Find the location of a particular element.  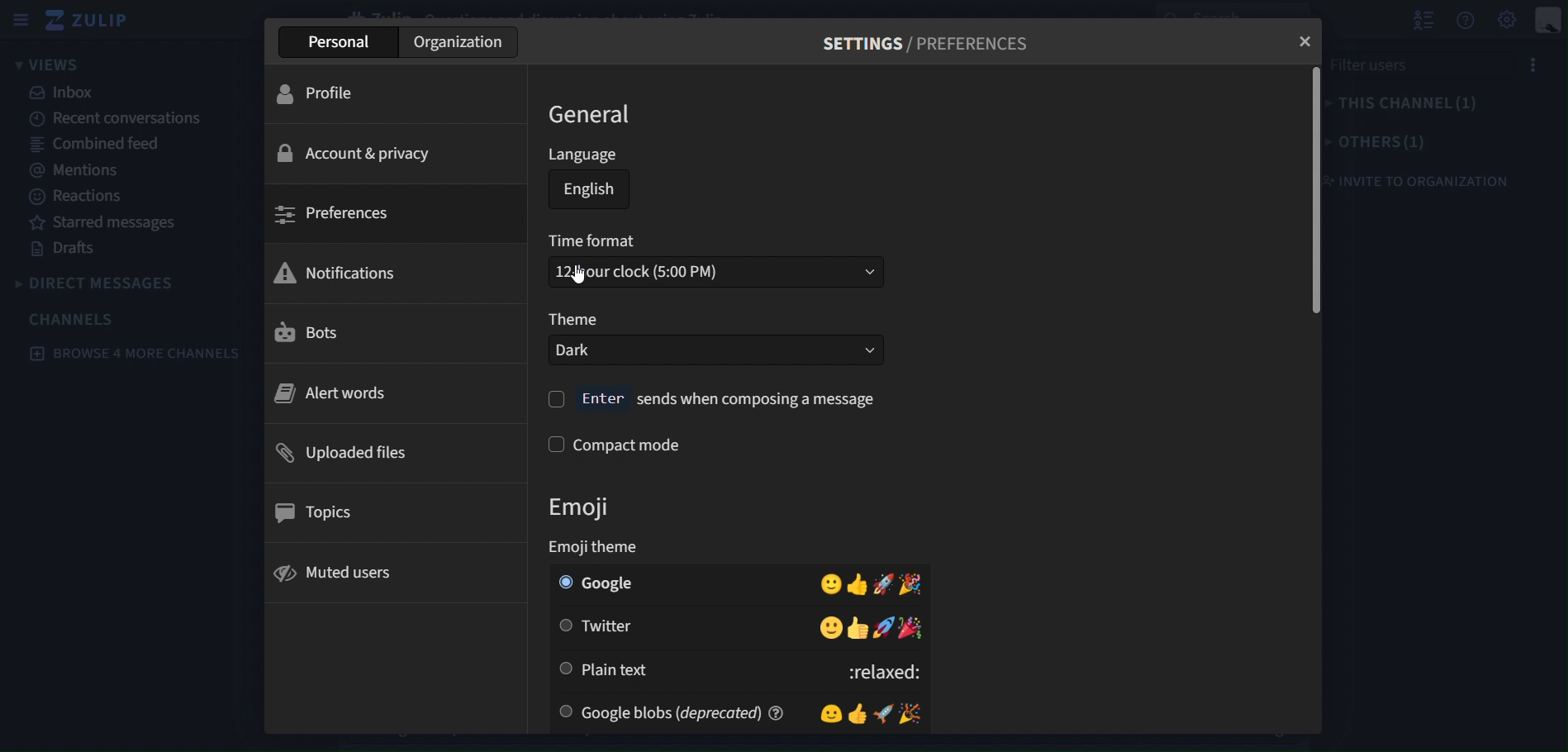

topics is located at coordinates (383, 512).